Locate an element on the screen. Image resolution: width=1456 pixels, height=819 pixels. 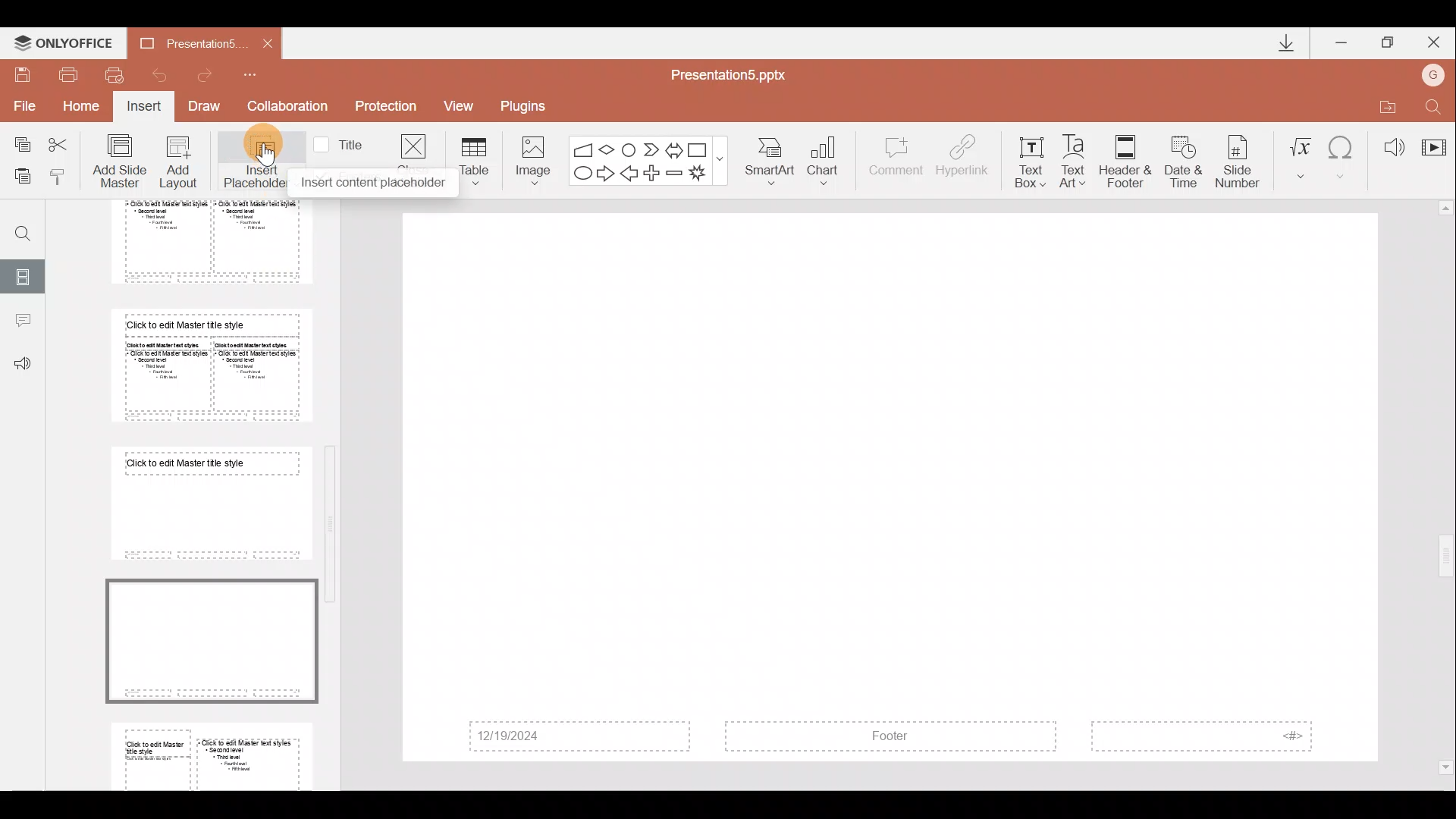
Draw is located at coordinates (209, 108).